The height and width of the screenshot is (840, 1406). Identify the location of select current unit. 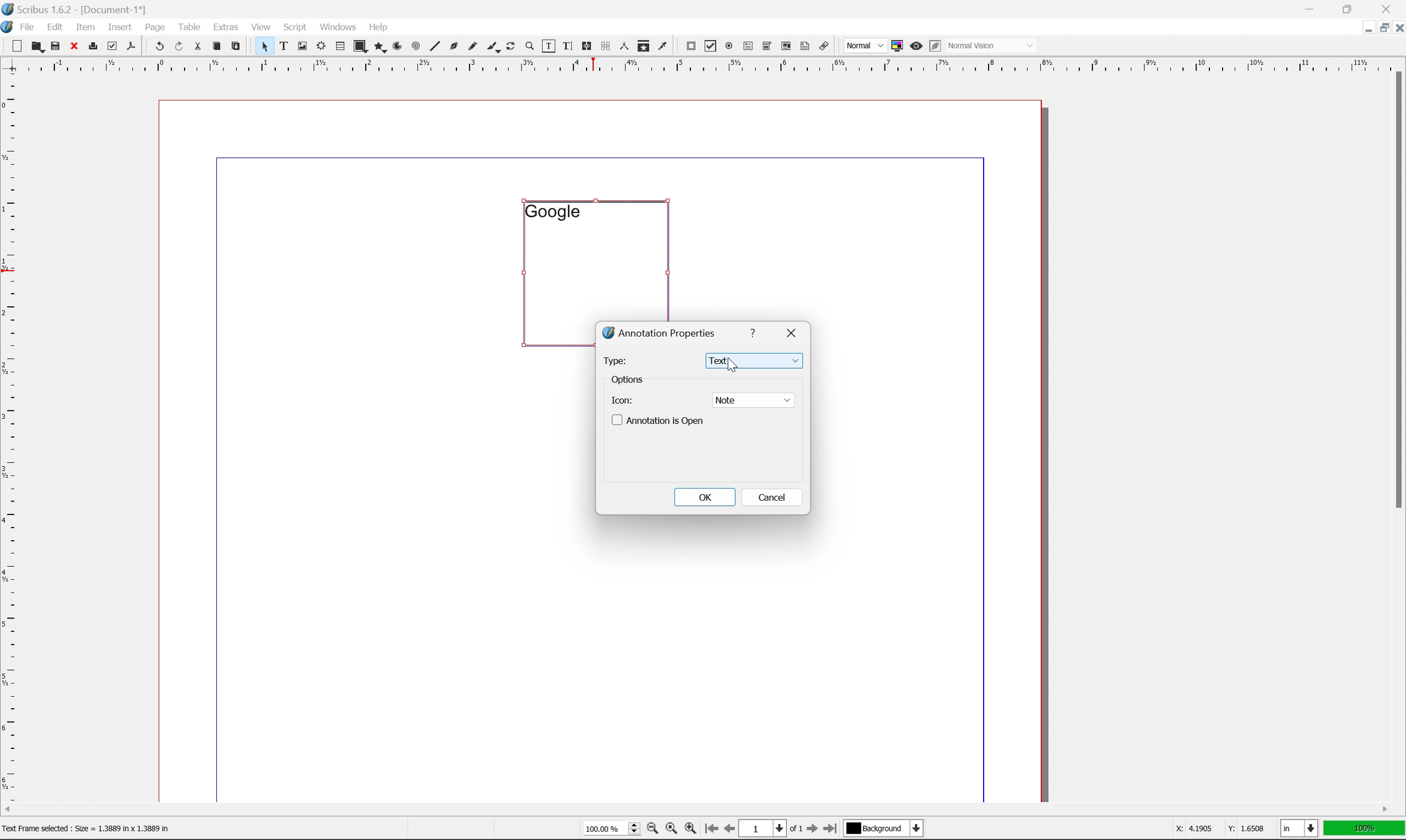
(1301, 829).